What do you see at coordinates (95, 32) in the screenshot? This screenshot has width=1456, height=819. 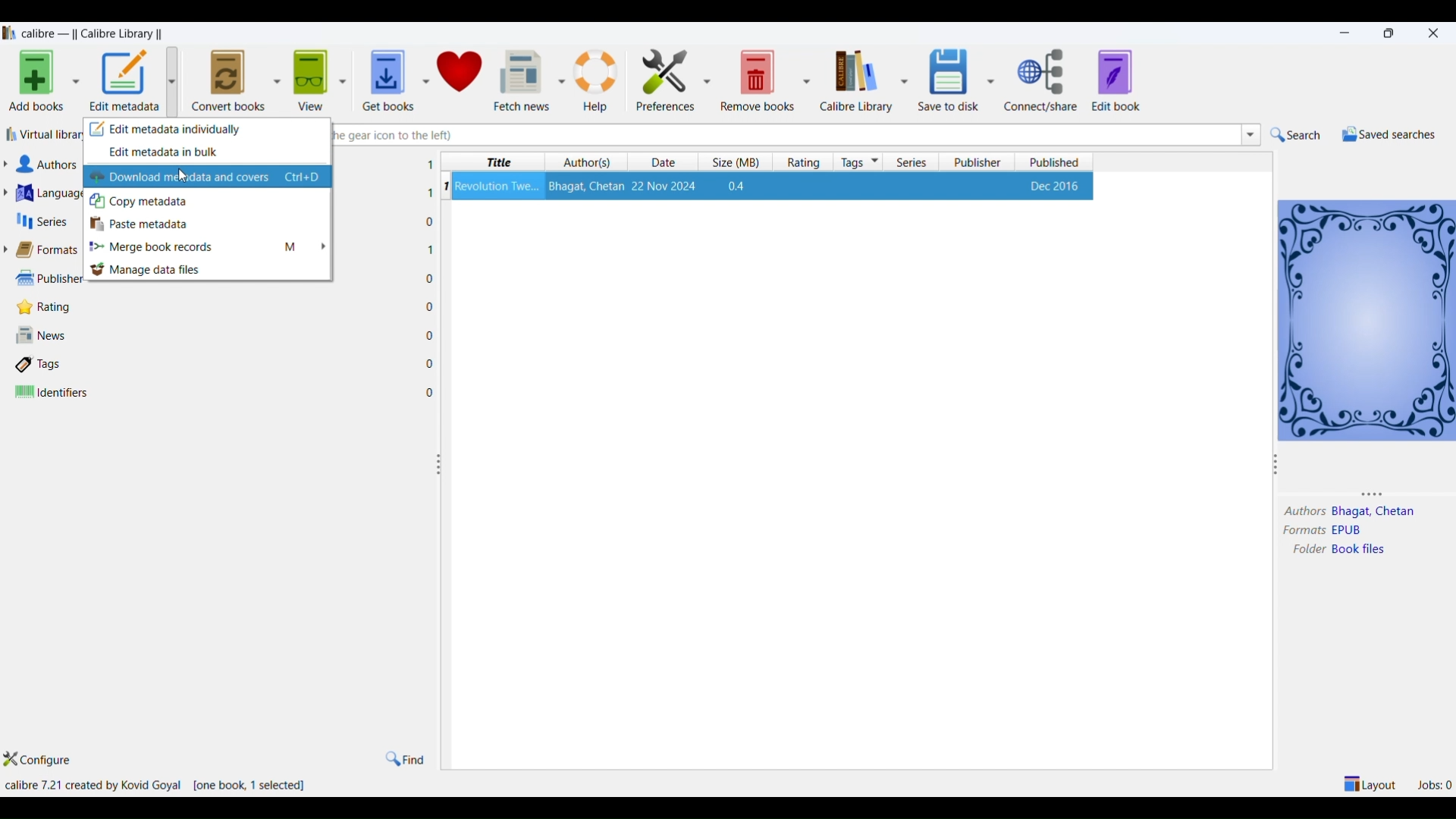 I see `application name ` at bounding box center [95, 32].